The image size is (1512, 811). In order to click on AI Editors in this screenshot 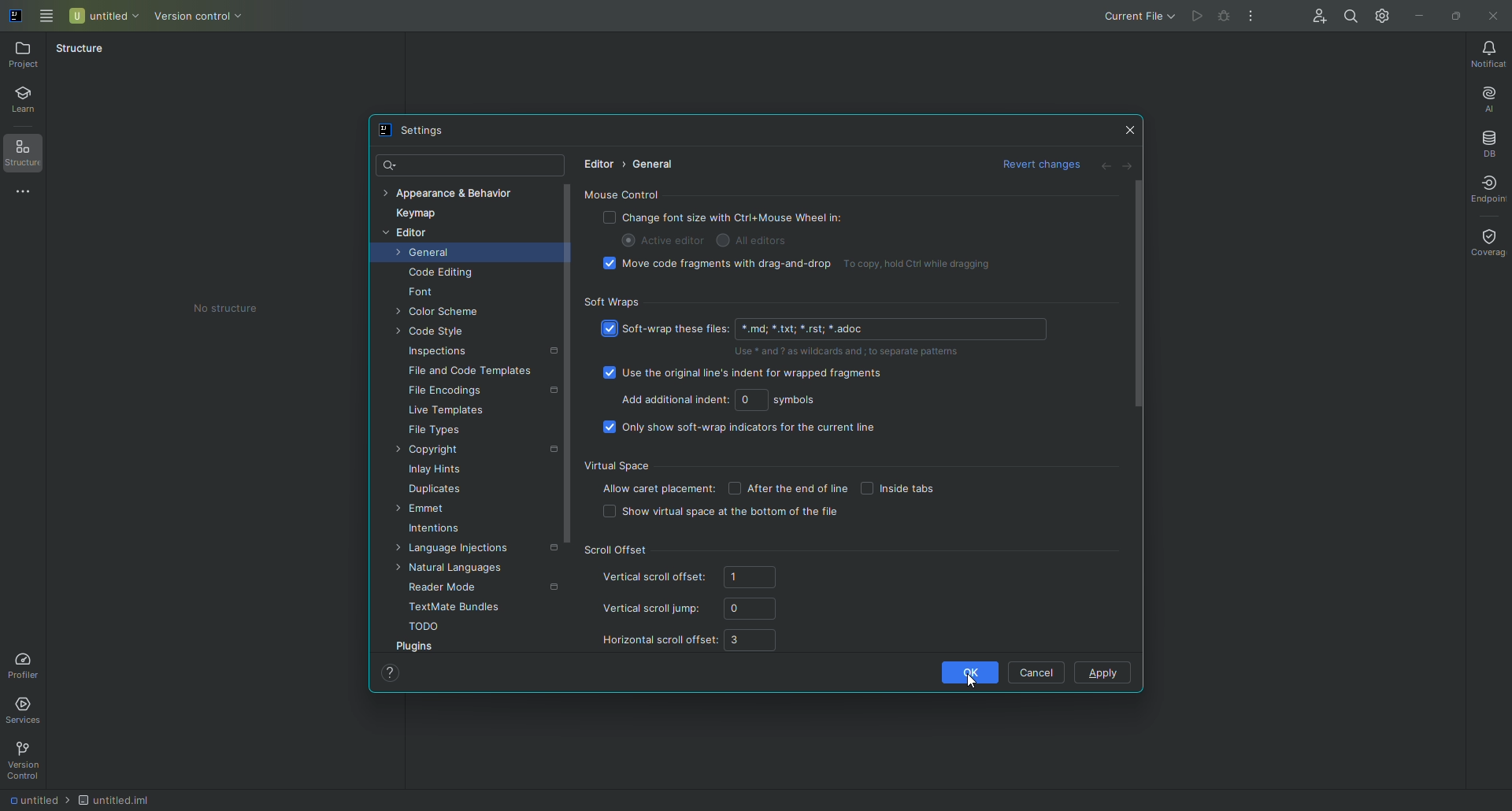, I will do `click(770, 241)`.